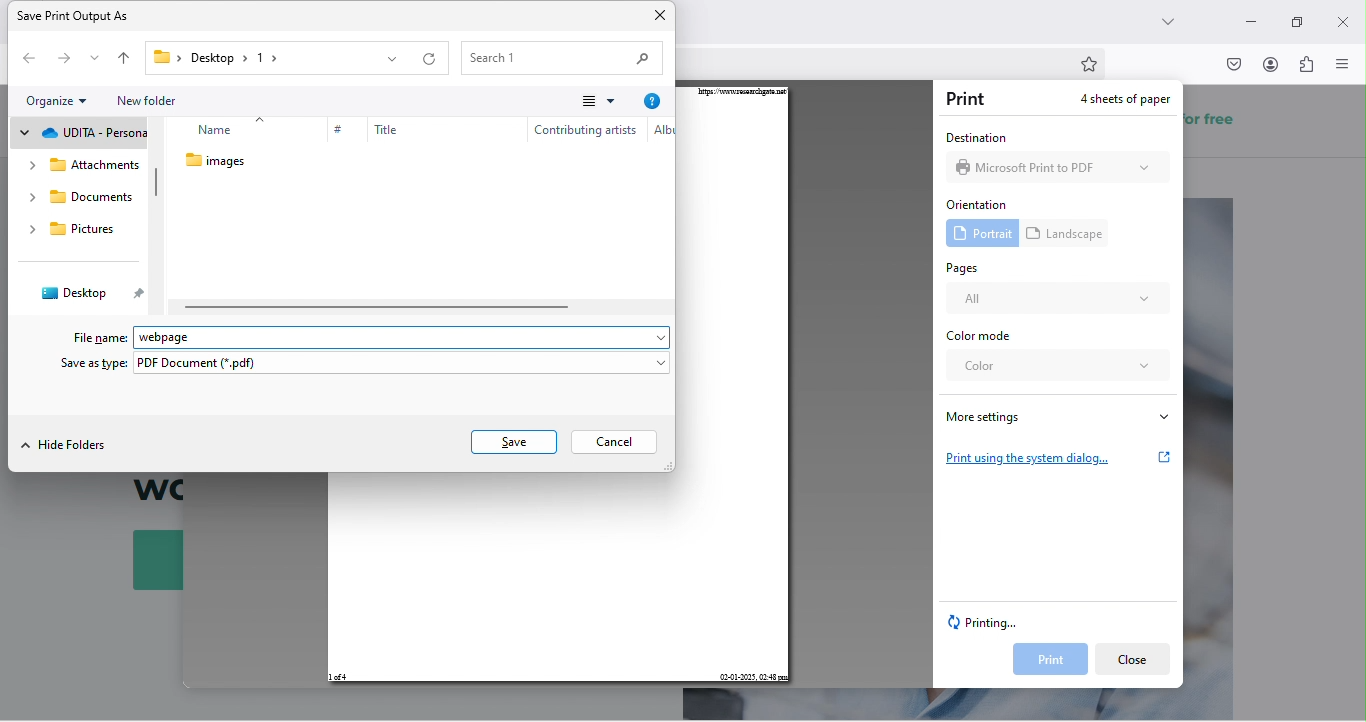 The height and width of the screenshot is (722, 1366). I want to click on printing, so click(988, 624).